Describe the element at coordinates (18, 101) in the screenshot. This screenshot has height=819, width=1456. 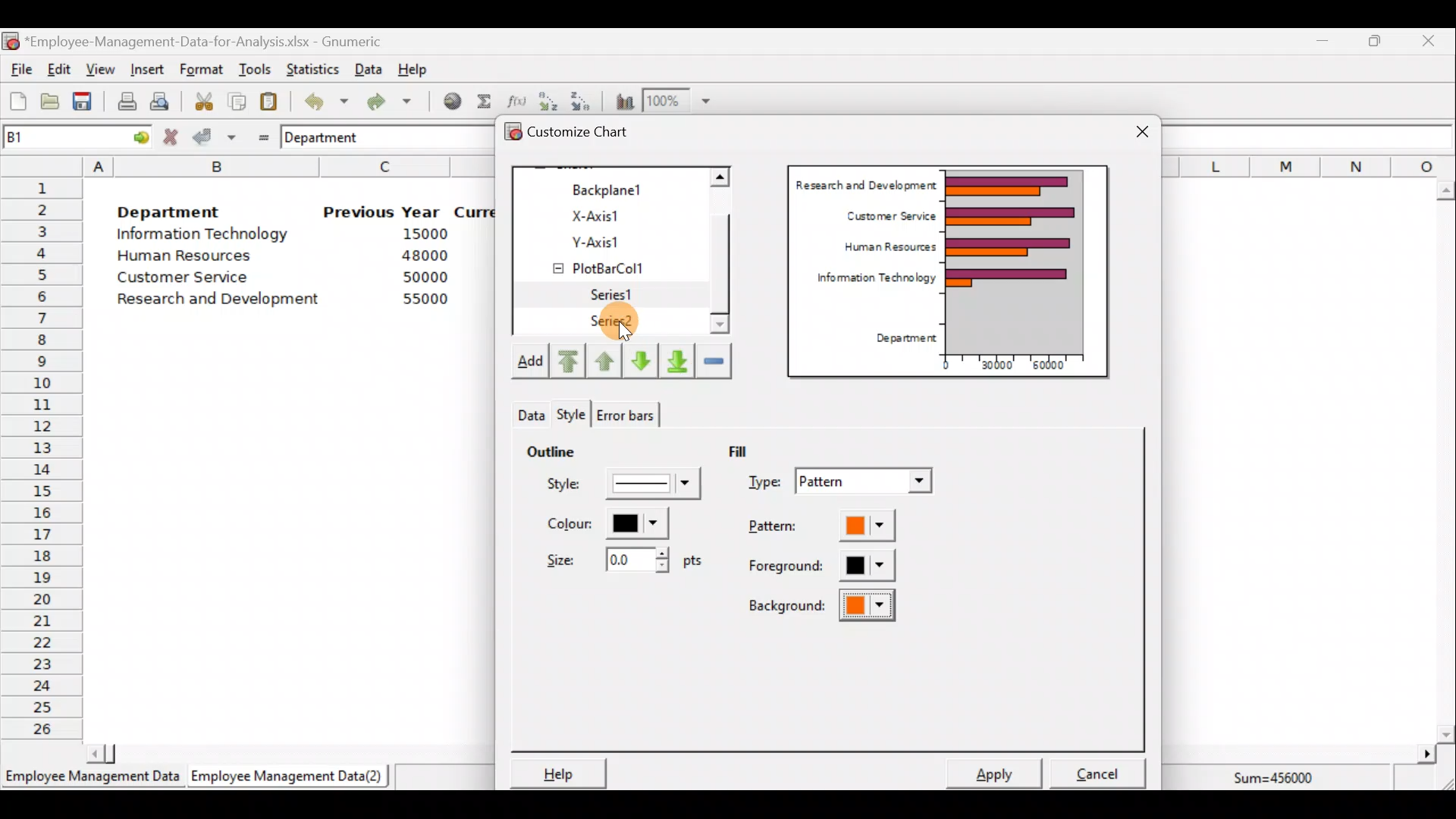
I see `Create a new workbook` at that location.